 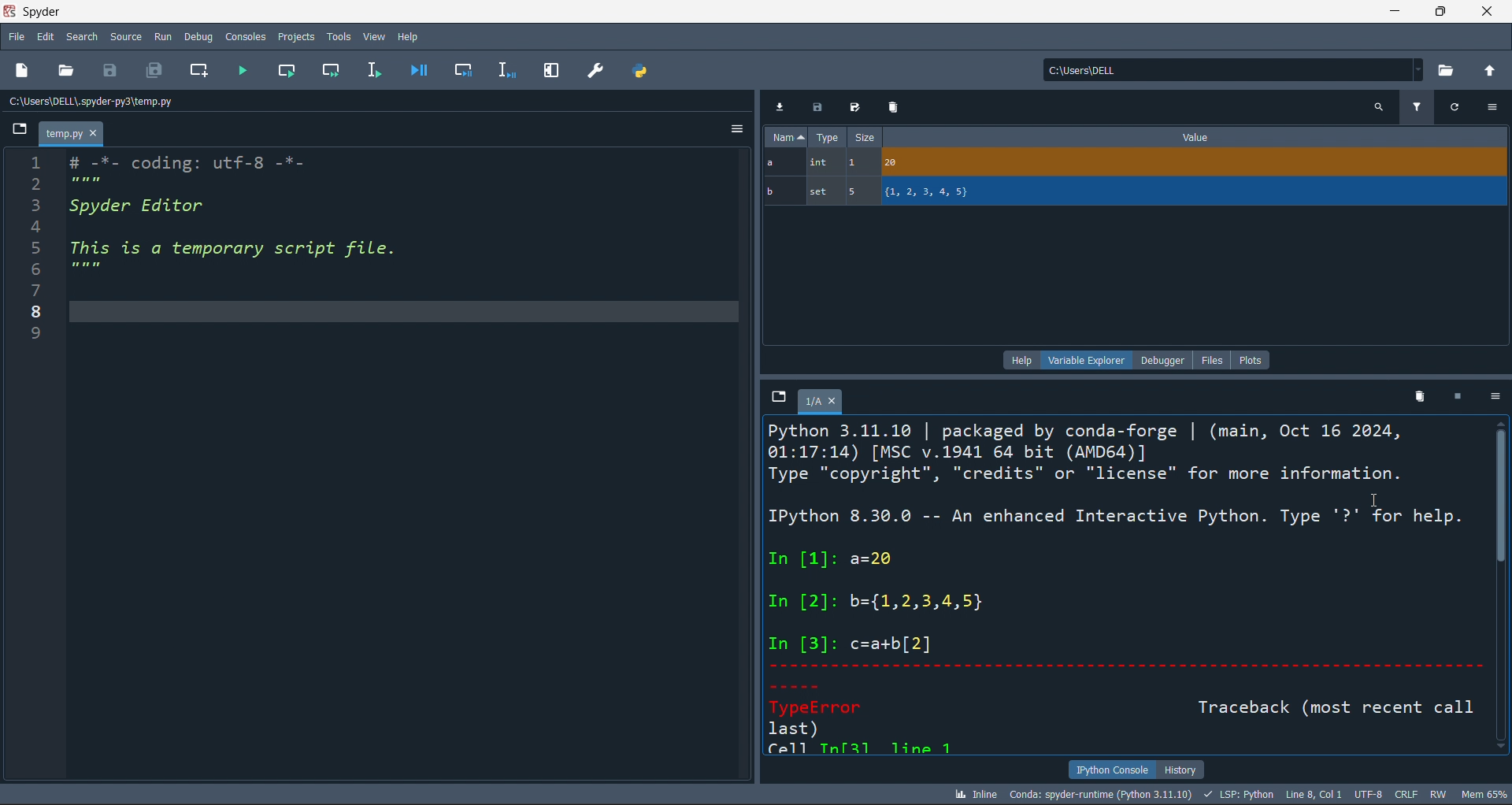 What do you see at coordinates (828, 139) in the screenshot?
I see `type` at bounding box center [828, 139].